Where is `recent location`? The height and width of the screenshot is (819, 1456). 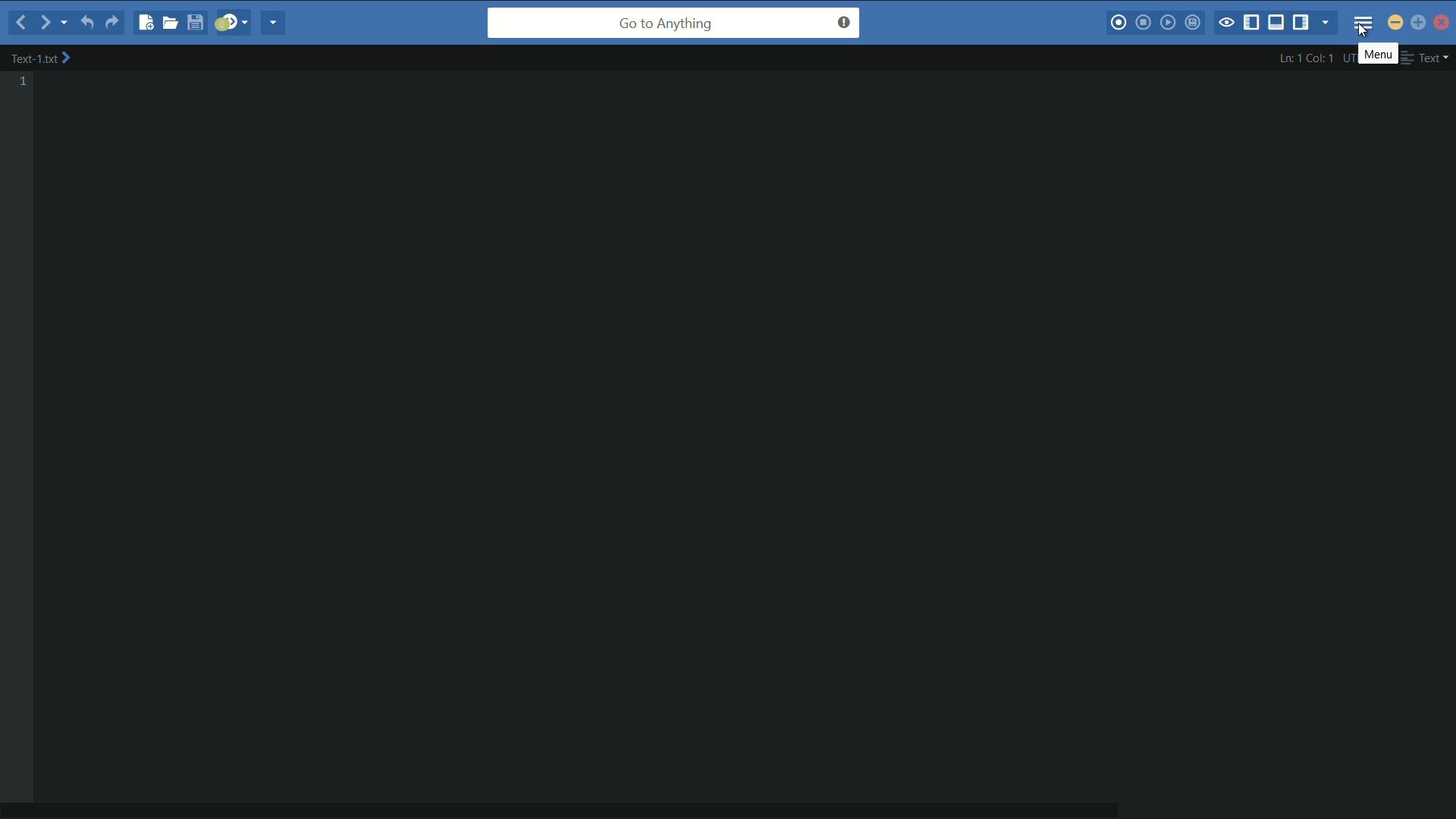 recent location is located at coordinates (64, 19).